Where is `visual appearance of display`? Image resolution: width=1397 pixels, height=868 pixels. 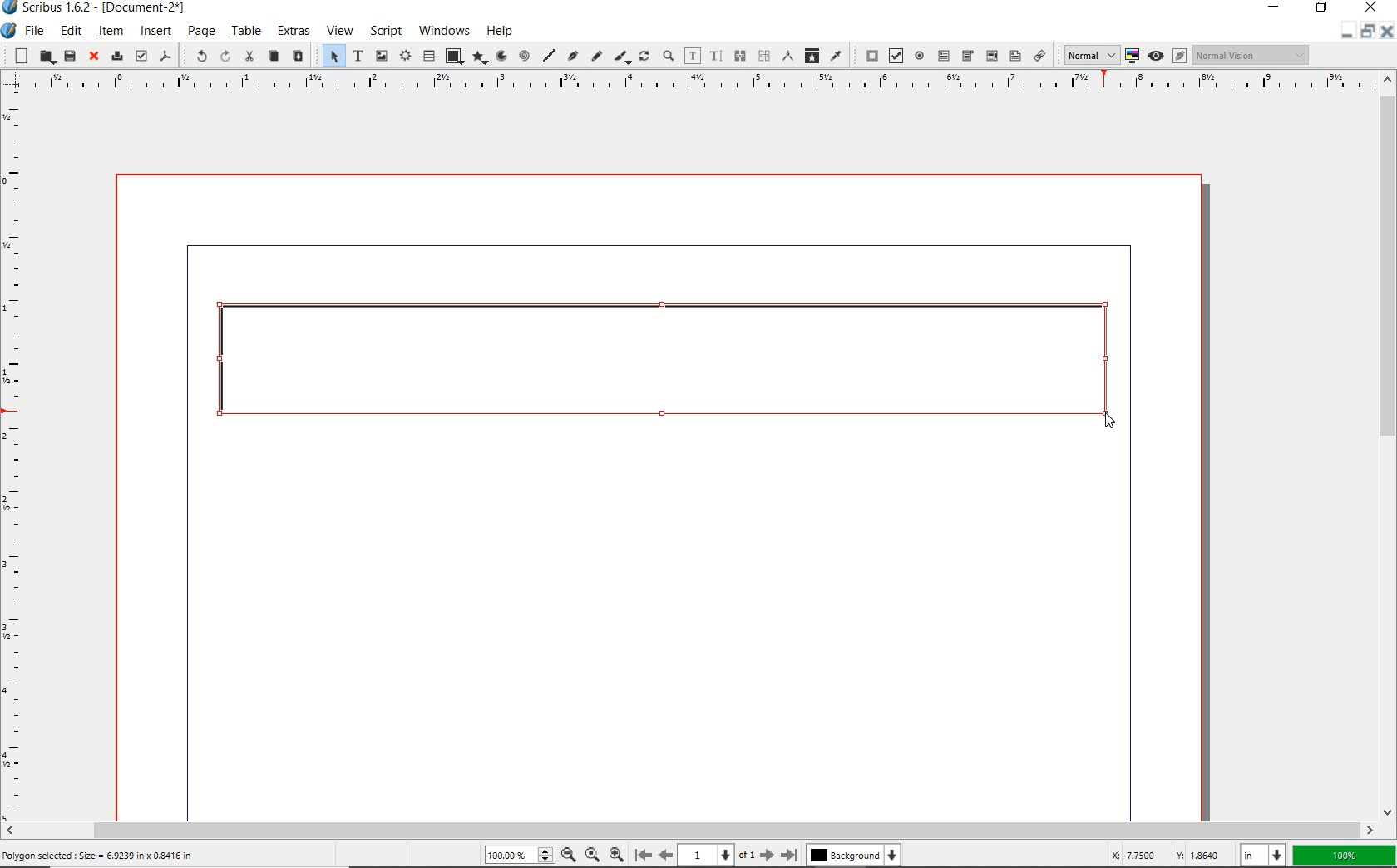
visual appearance of display is located at coordinates (1254, 54).